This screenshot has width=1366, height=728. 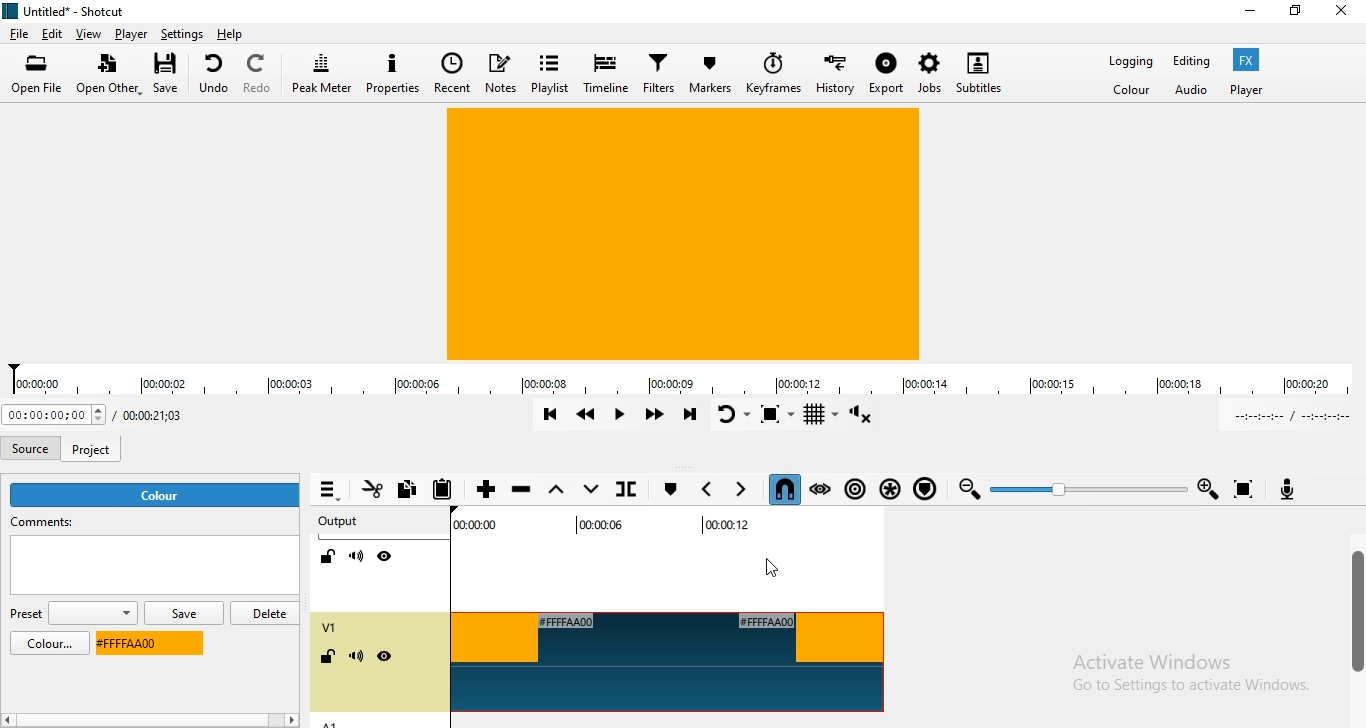 I want to click on V1, so click(x=329, y=627).